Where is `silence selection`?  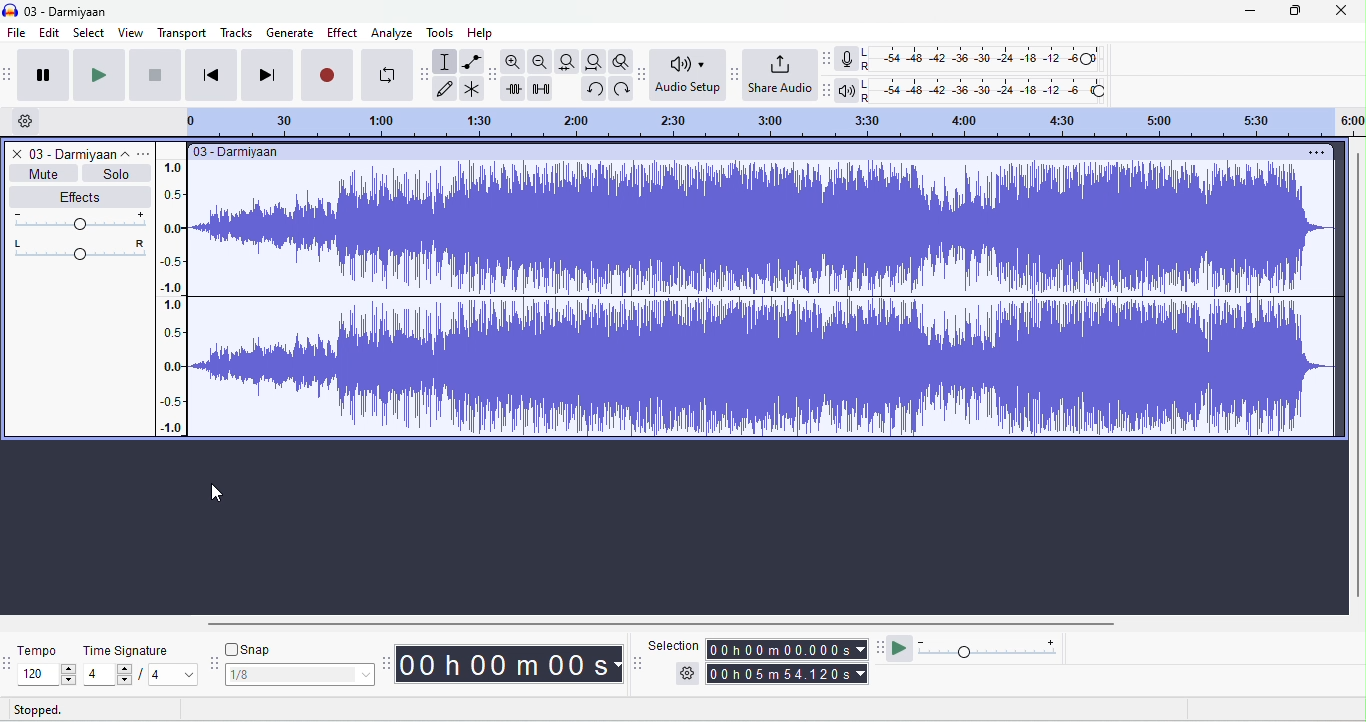
silence selection is located at coordinates (541, 88).